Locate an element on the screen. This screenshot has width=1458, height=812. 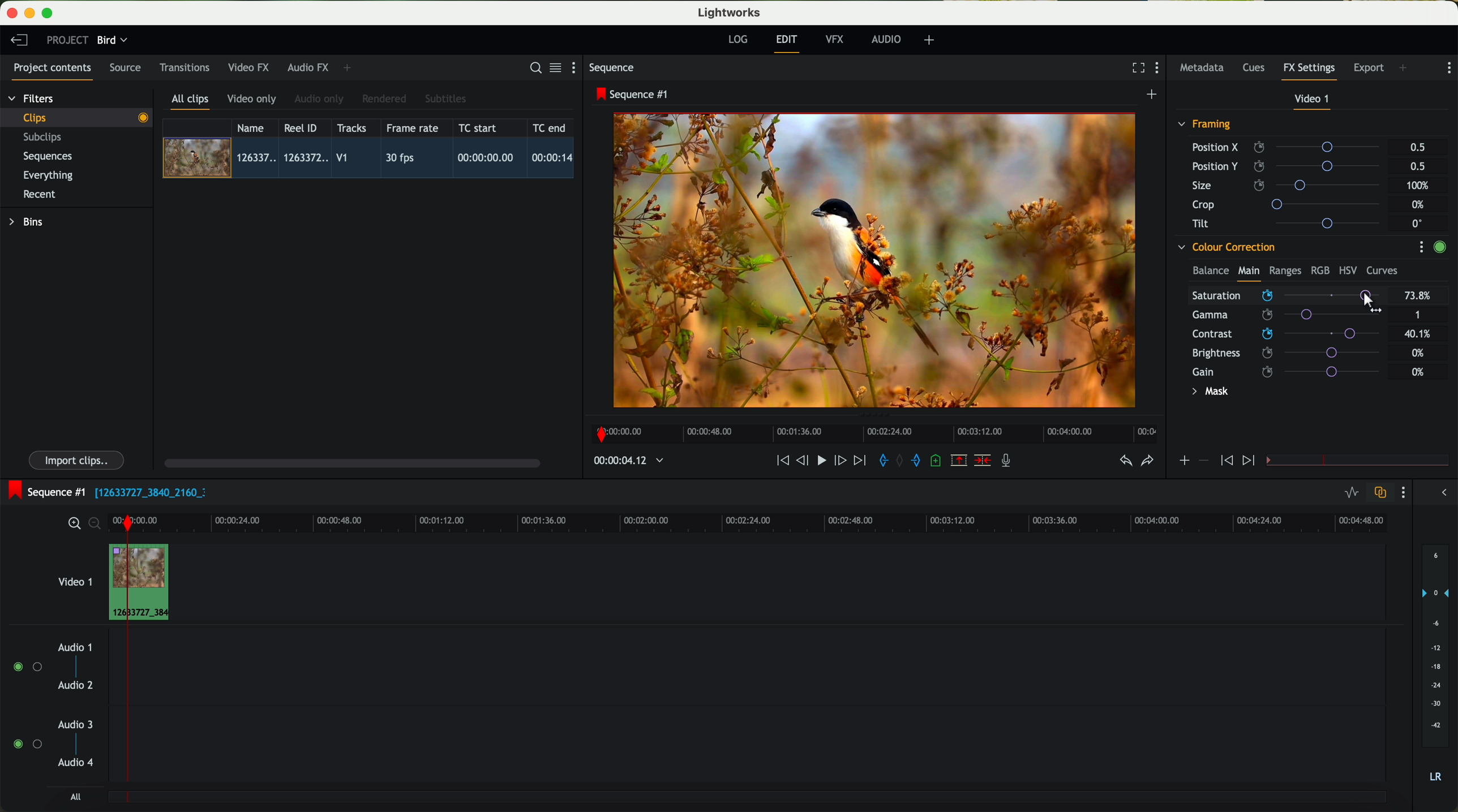
drag video to video track 1 is located at coordinates (144, 583).